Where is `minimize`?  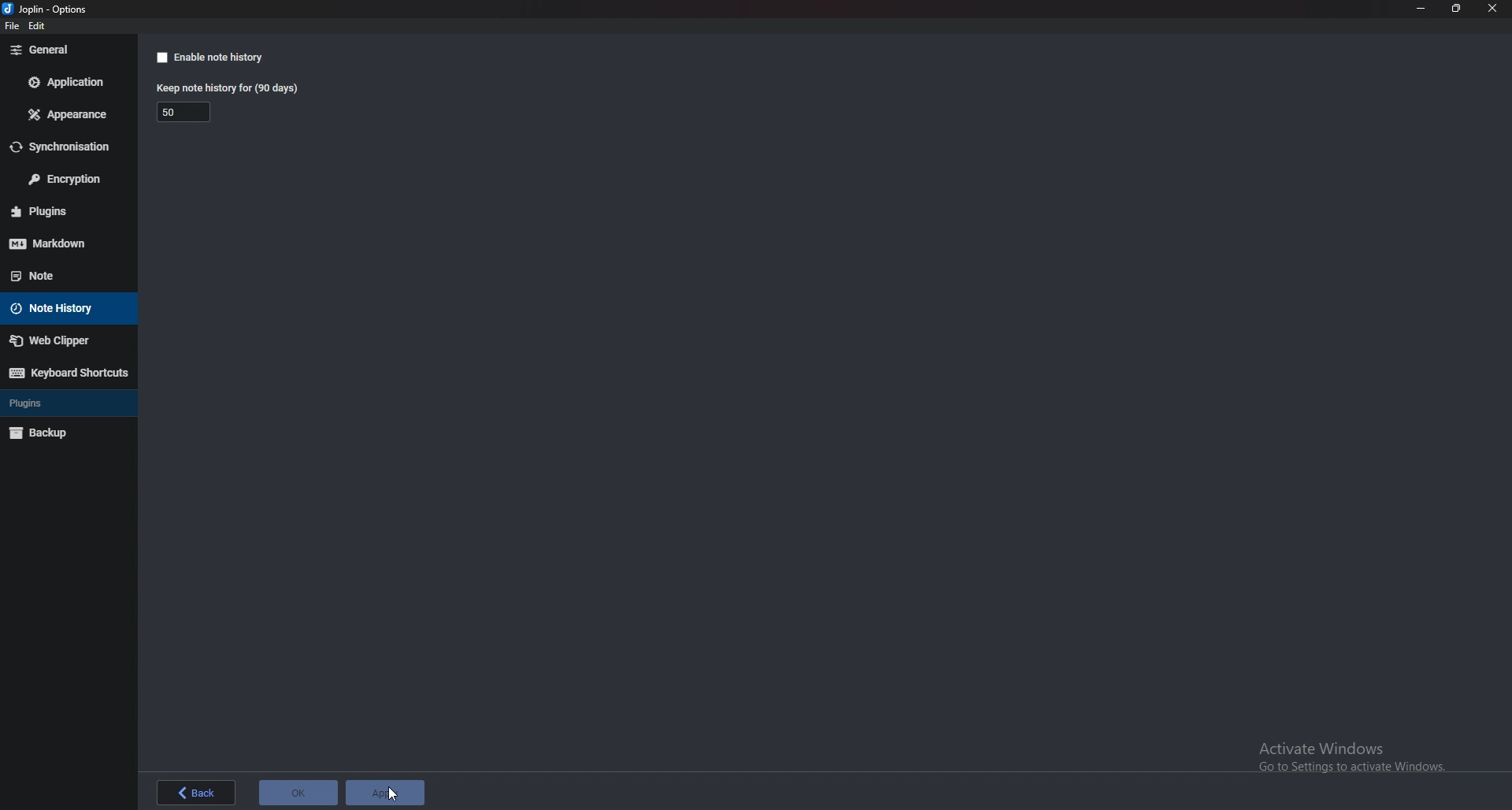 minimize is located at coordinates (1421, 9).